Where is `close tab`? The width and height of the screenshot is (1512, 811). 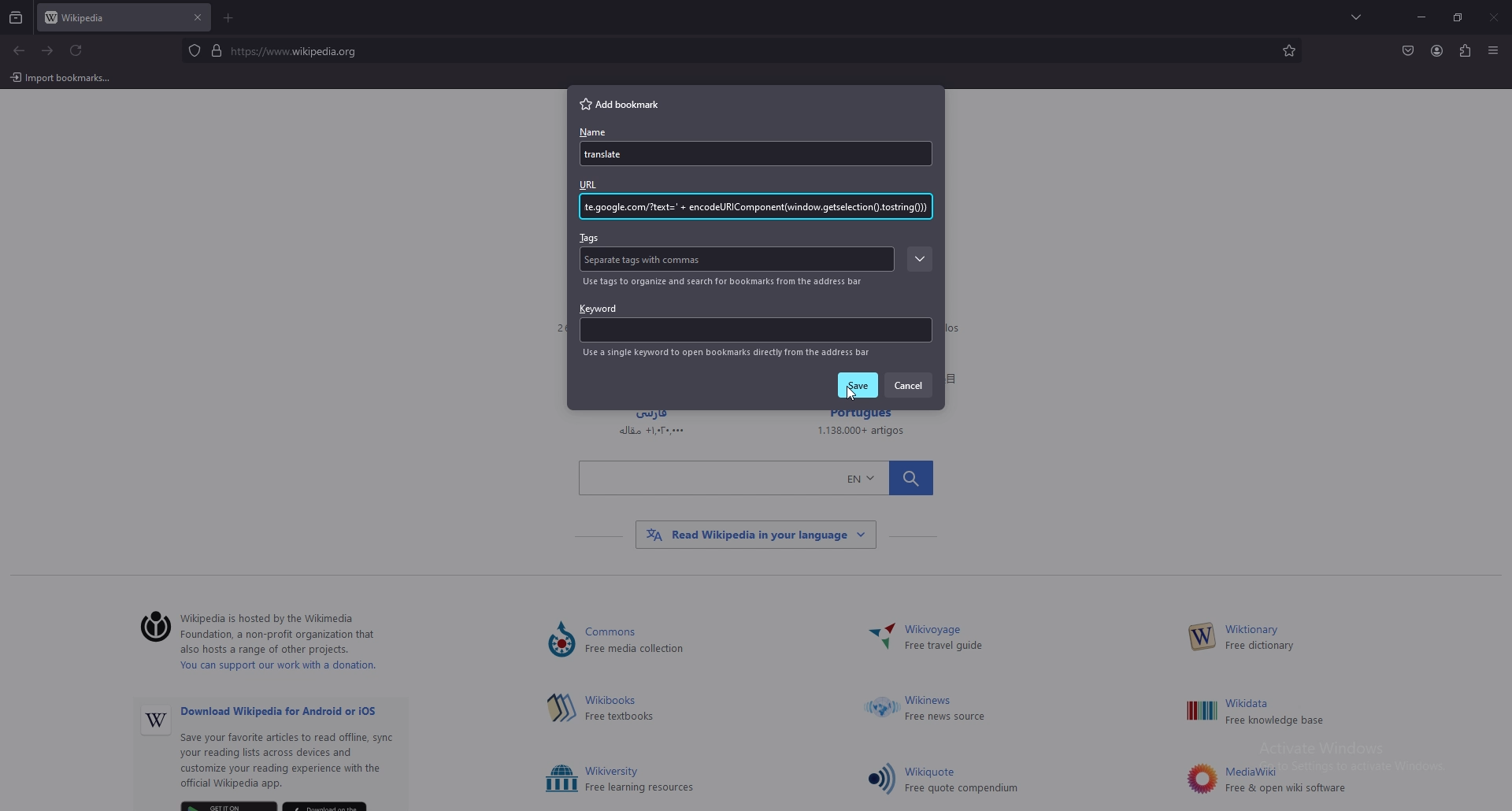
close tab is located at coordinates (198, 17).